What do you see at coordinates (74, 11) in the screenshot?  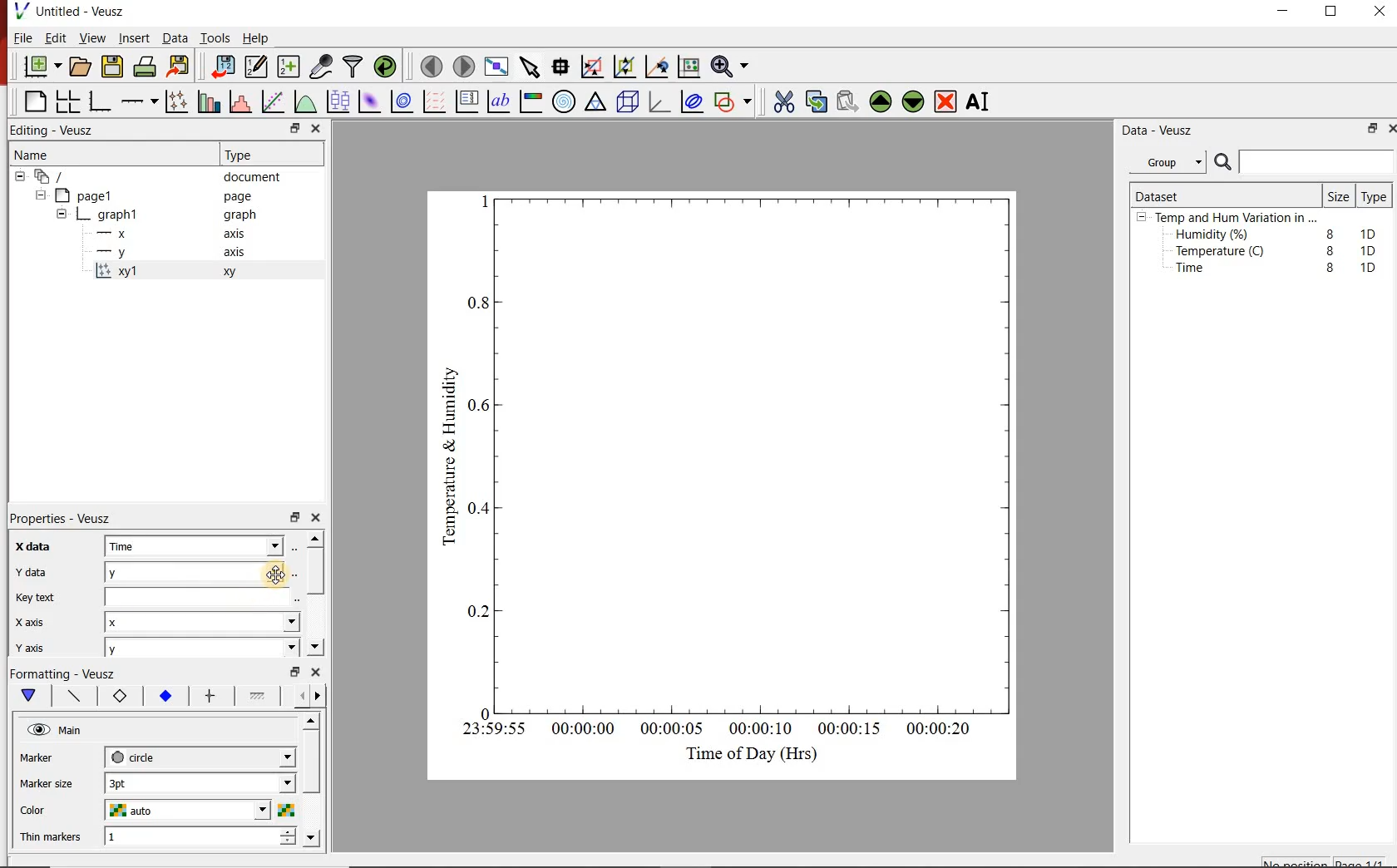 I see `Untitled - Veusz` at bounding box center [74, 11].